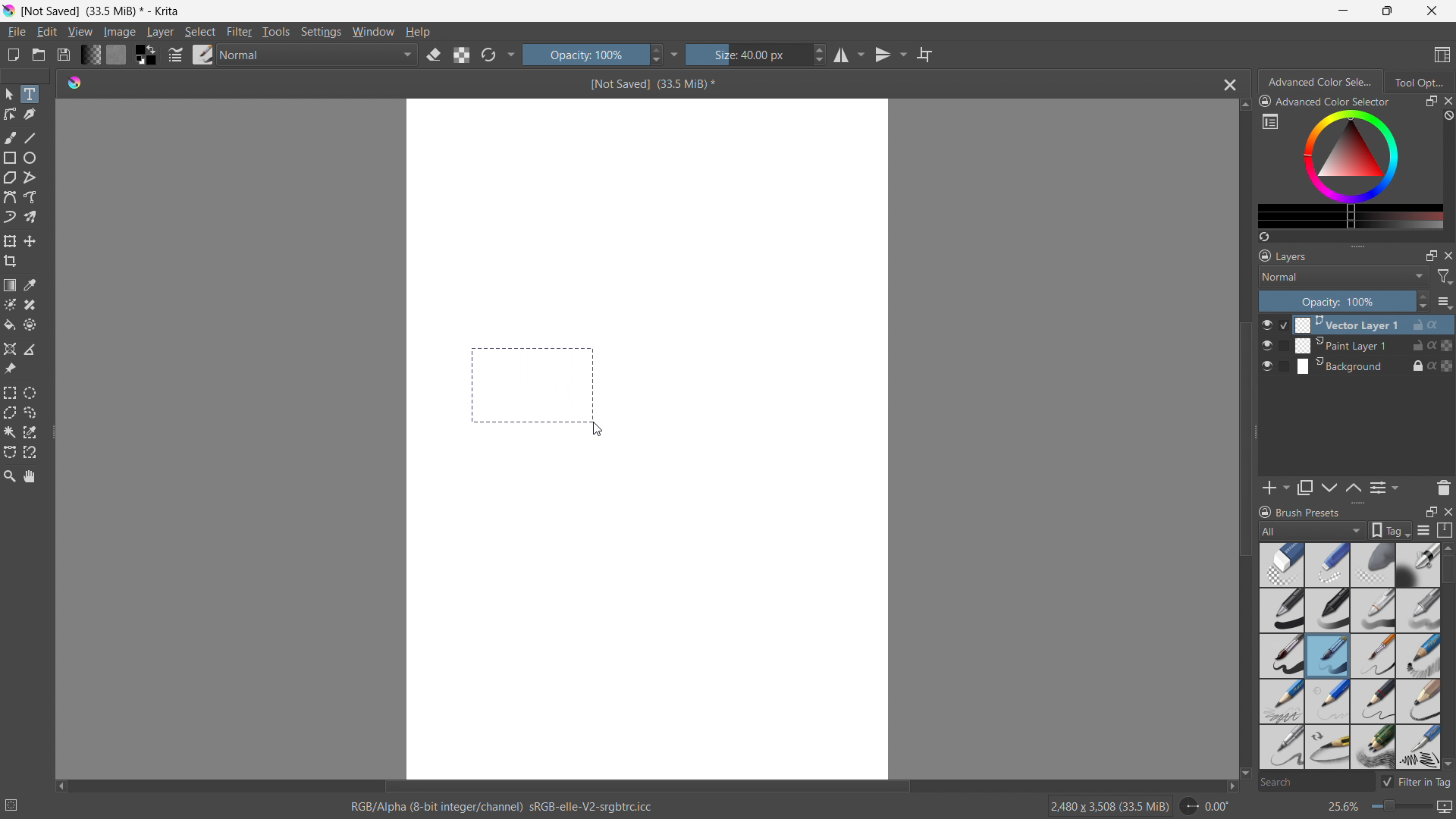 The width and height of the screenshot is (1456, 819). I want to click on Brush, so click(1282, 654).